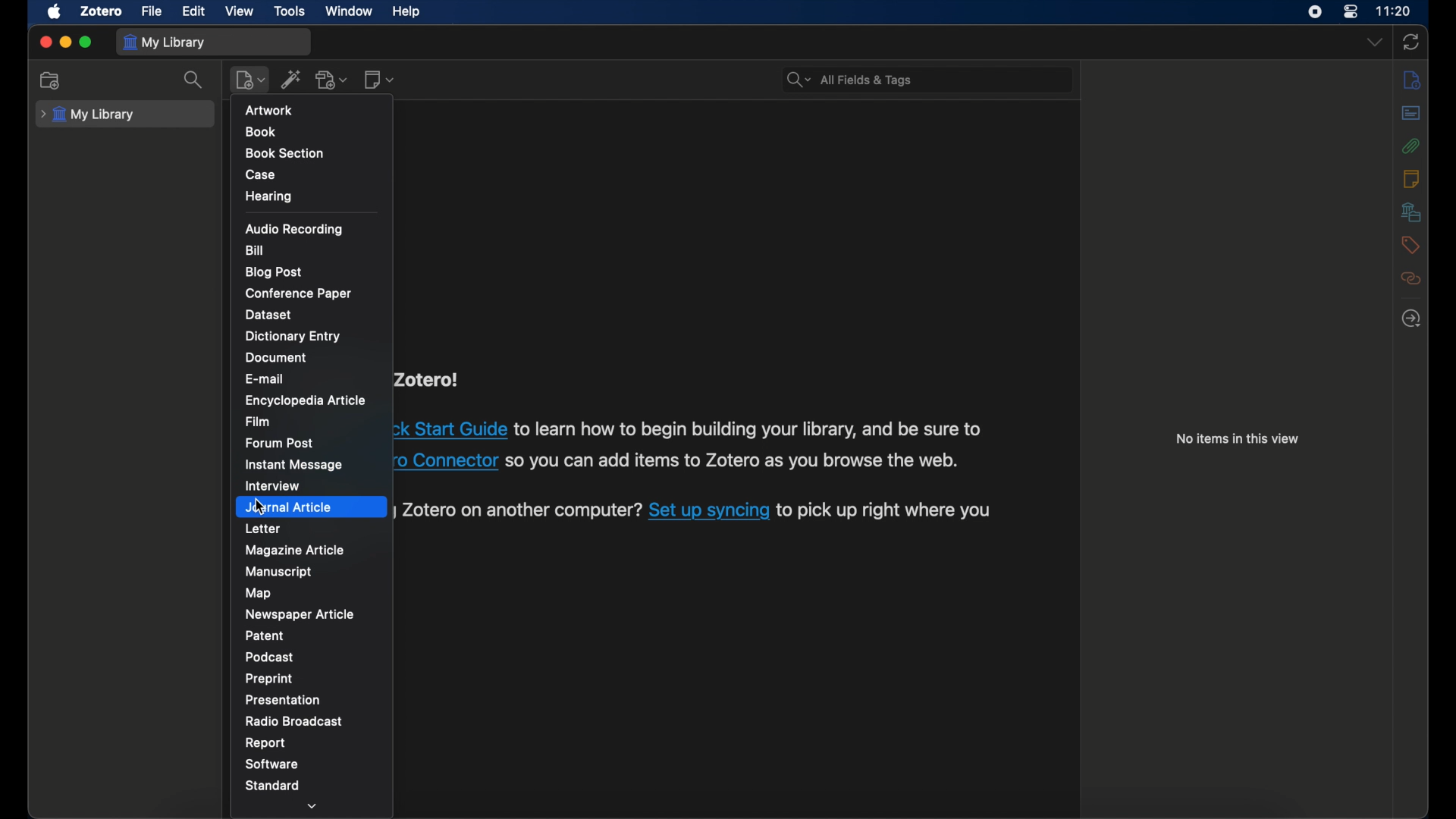  Describe the element at coordinates (272, 273) in the screenshot. I see `blog post` at that location.